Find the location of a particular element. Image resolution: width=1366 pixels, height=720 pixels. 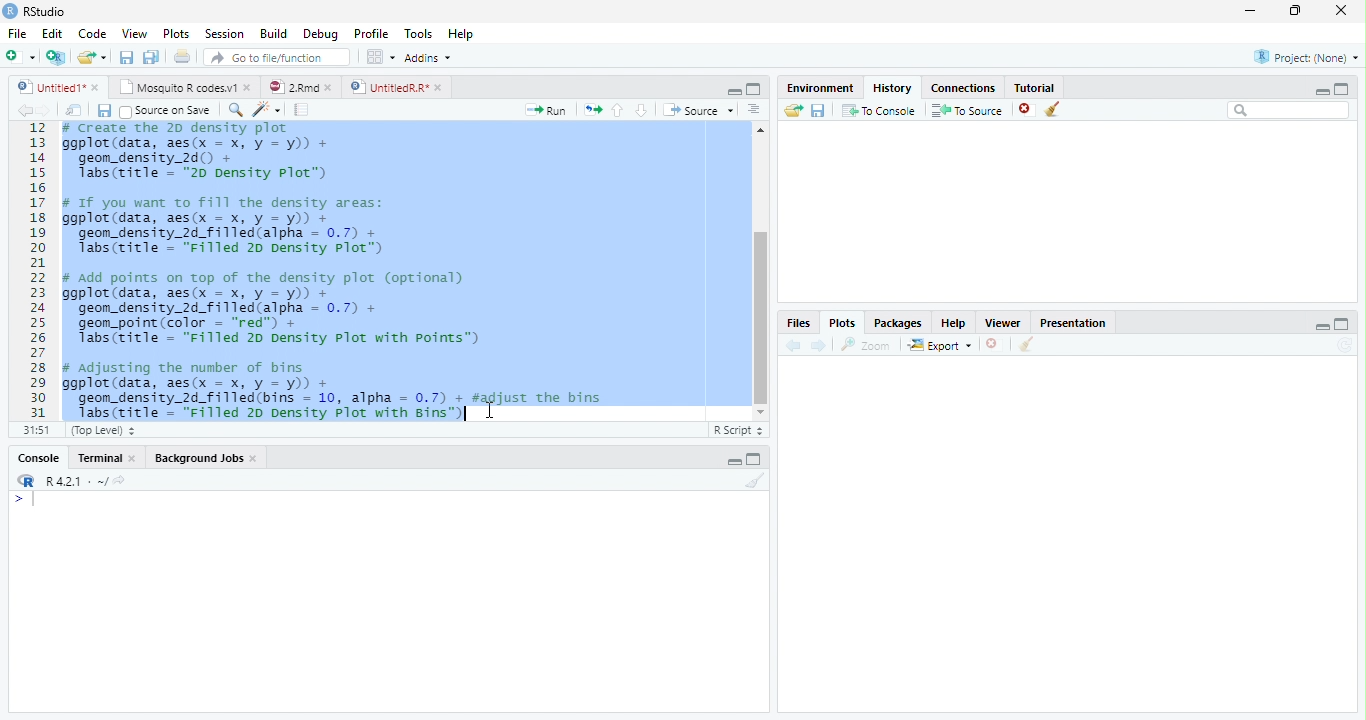

Plots is located at coordinates (841, 322).